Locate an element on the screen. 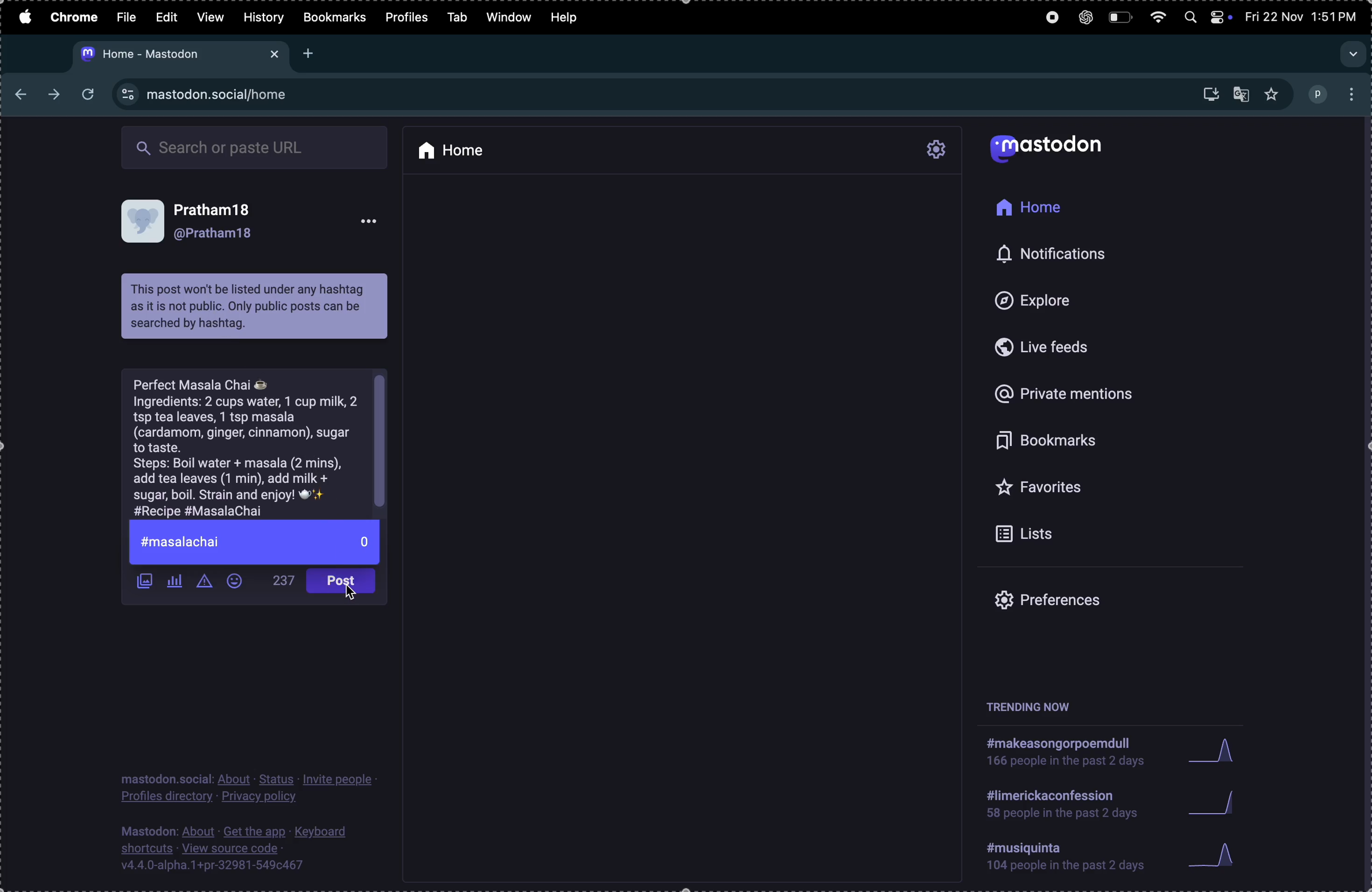 The image size is (1372, 892). profile is located at coordinates (1317, 92).